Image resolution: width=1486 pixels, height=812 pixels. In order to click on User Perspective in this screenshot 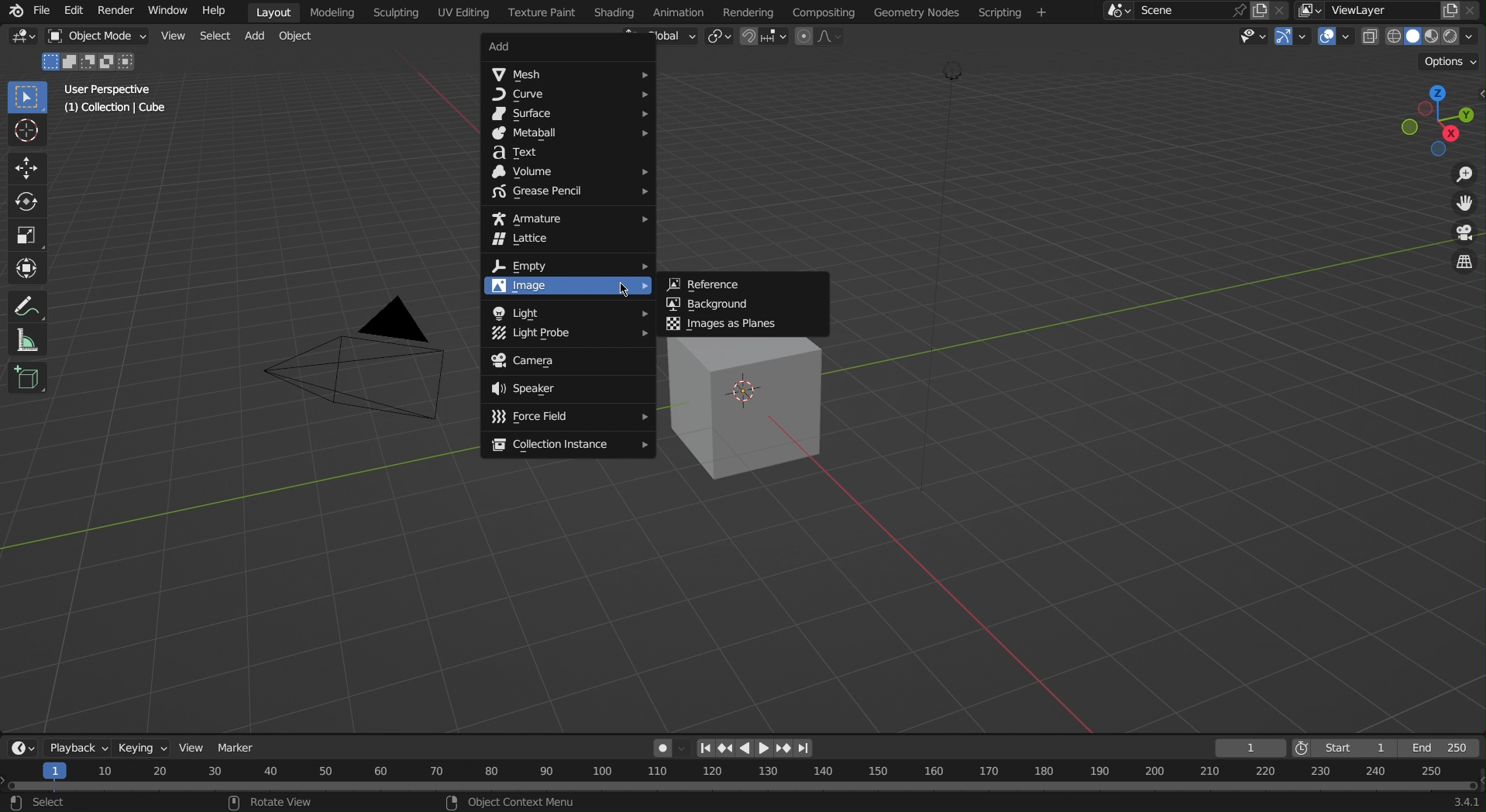, I will do `click(110, 89)`.